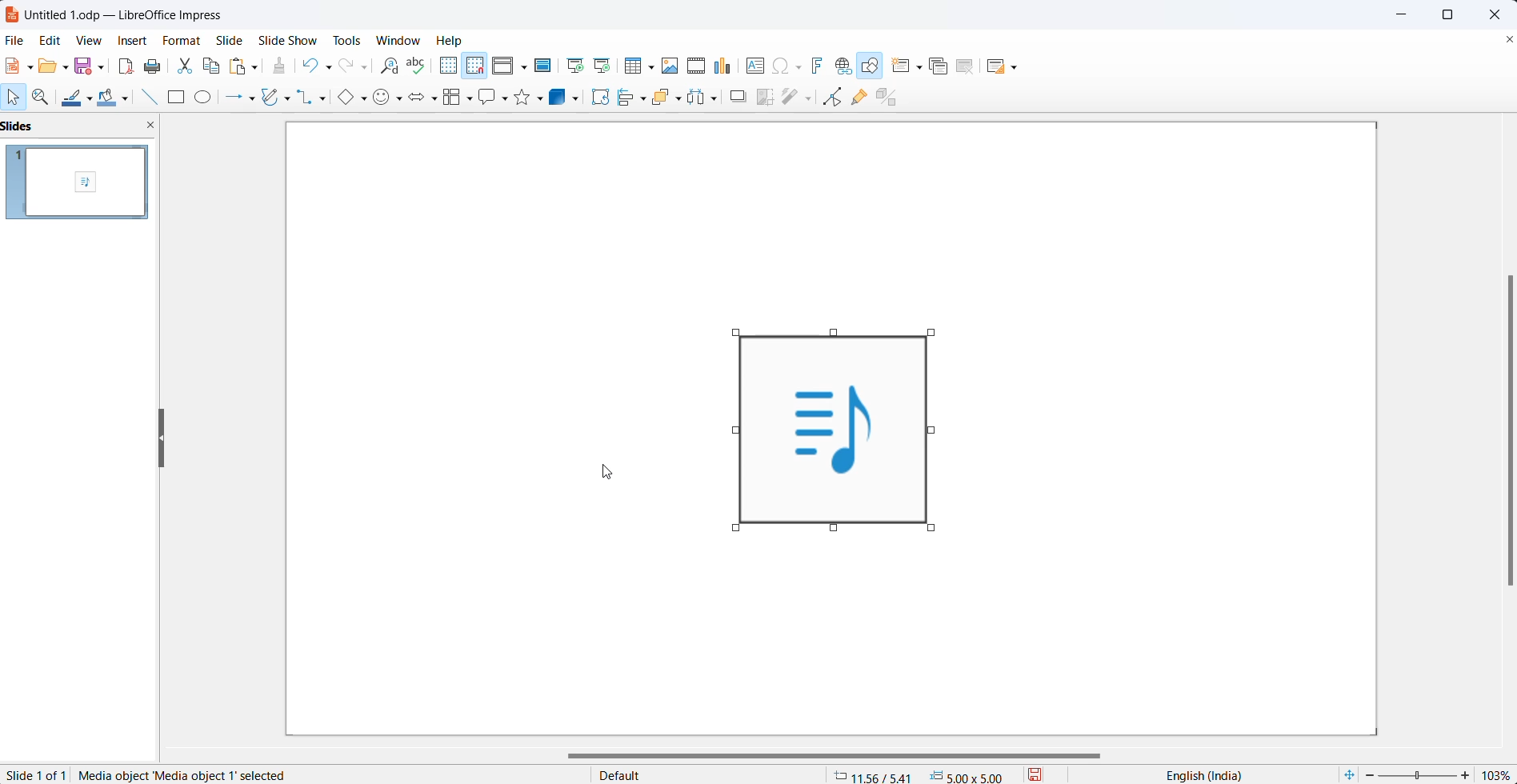 The image size is (1517, 784). What do you see at coordinates (1453, 16) in the screenshot?
I see `maximize` at bounding box center [1453, 16].